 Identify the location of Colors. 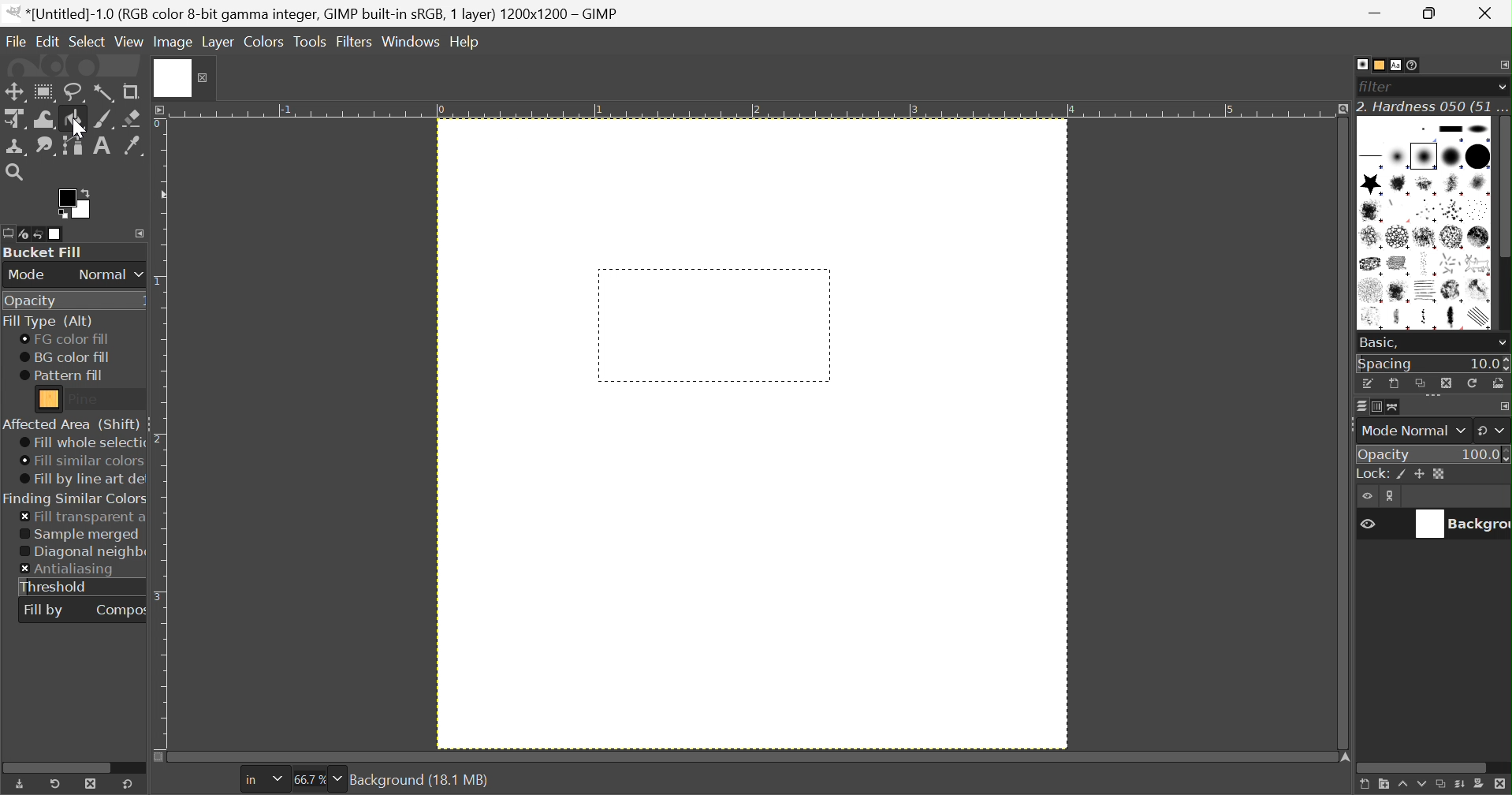
(263, 41).